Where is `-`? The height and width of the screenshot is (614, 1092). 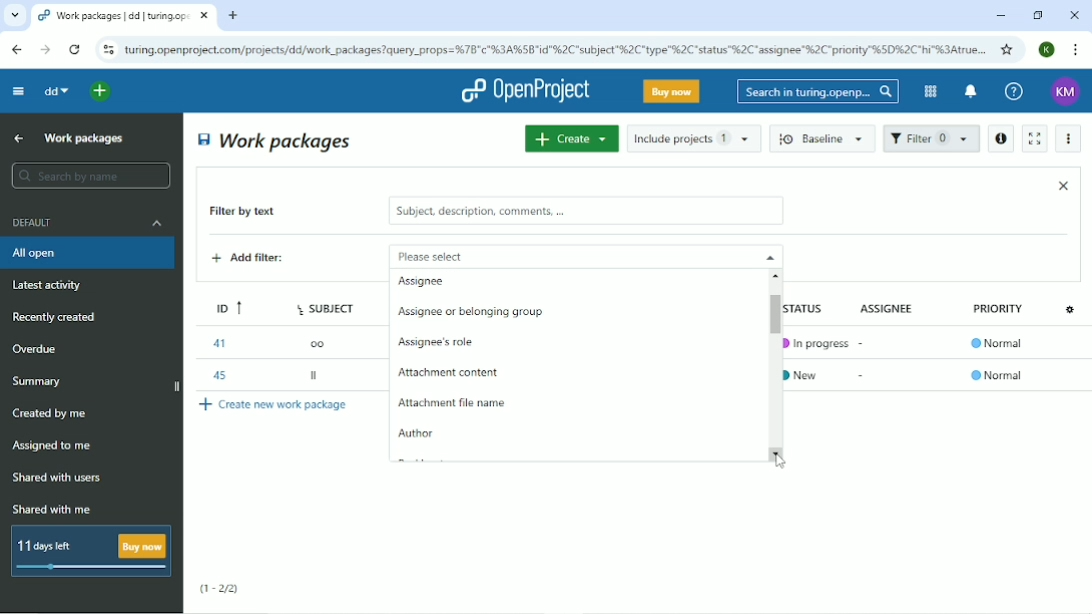 - is located at coordinates (864, 340).